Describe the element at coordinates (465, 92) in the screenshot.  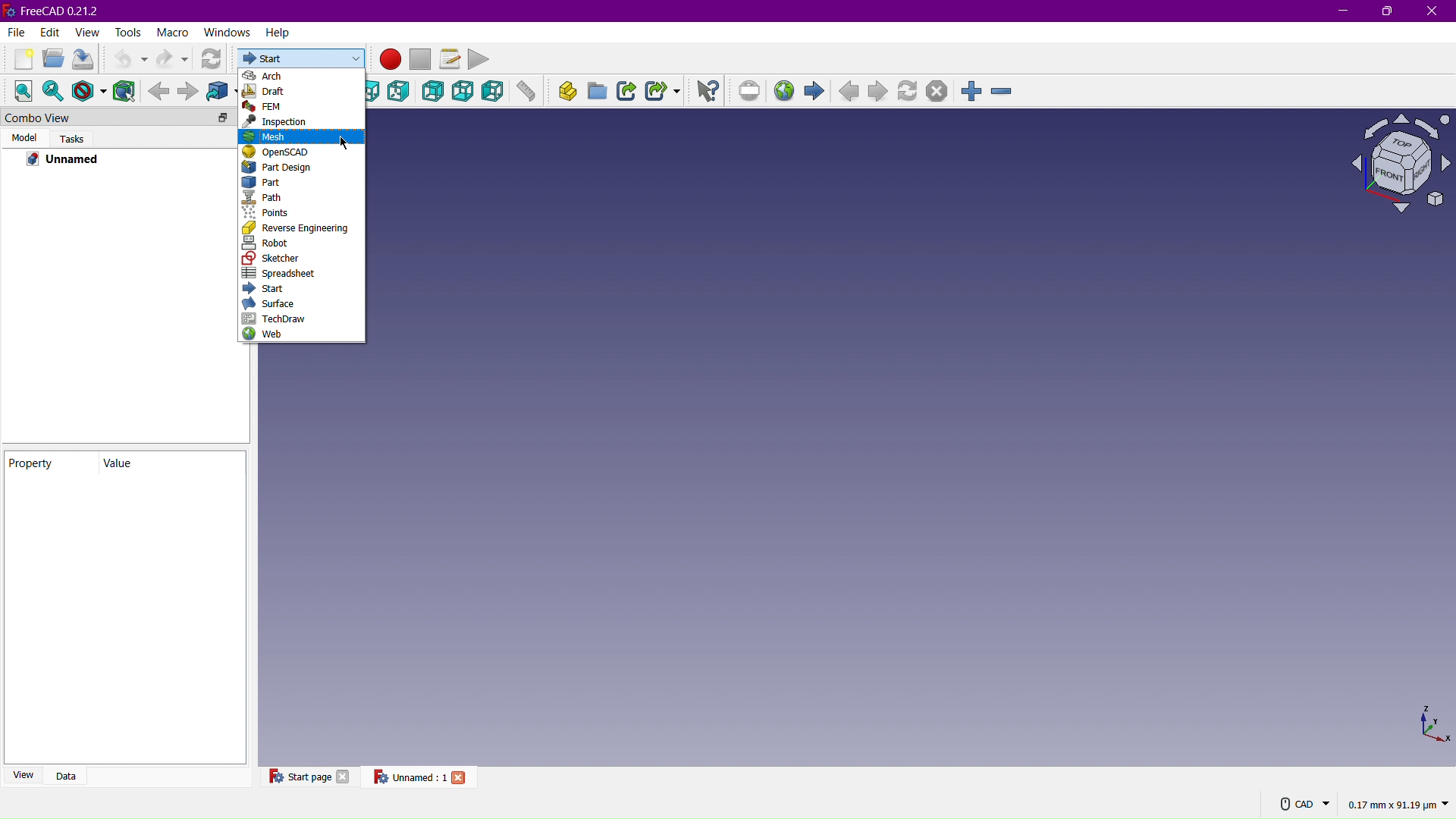
I see `Bottom` at that location.